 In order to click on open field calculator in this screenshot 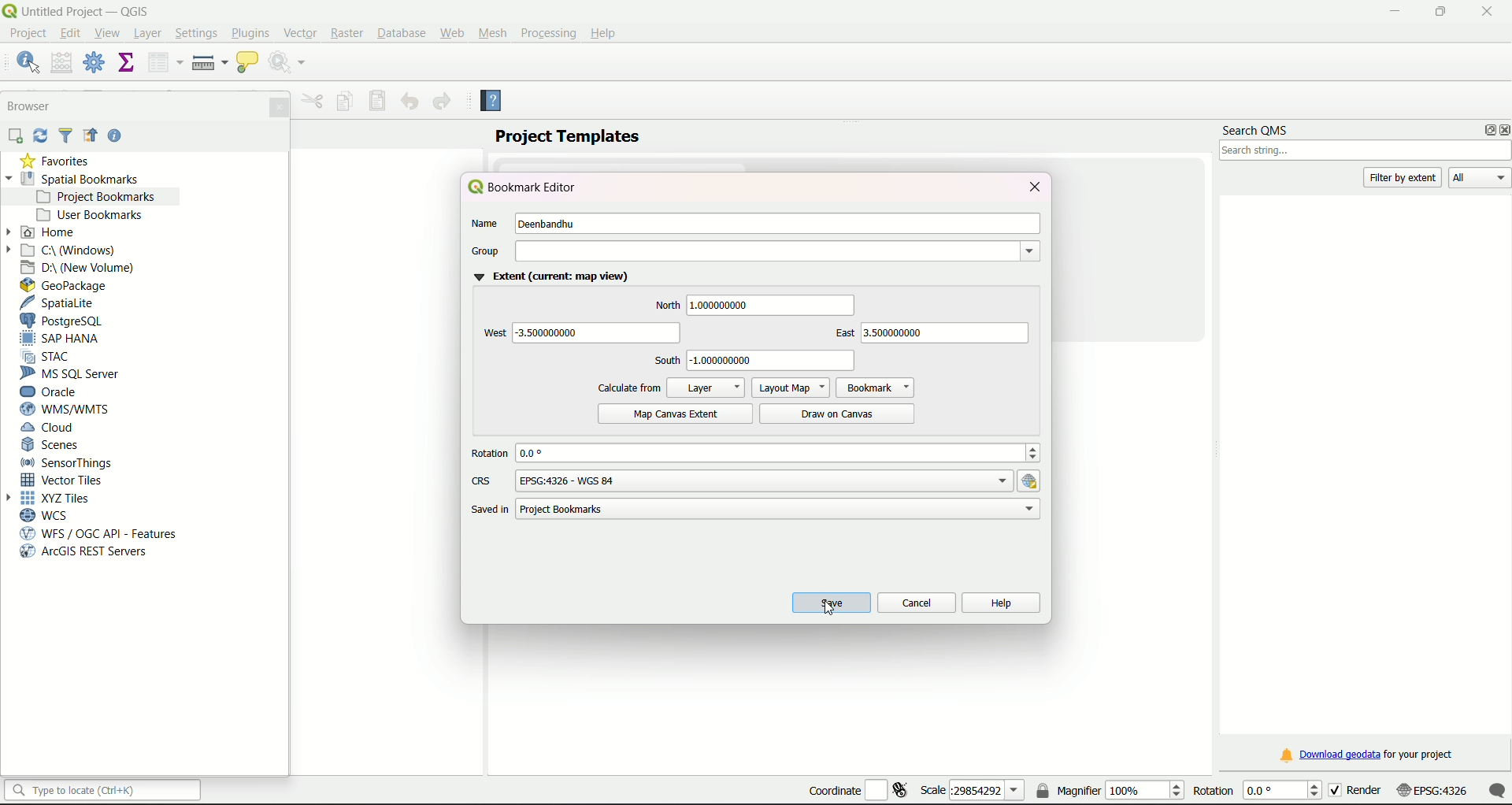, I will do `click(62, 61)`.